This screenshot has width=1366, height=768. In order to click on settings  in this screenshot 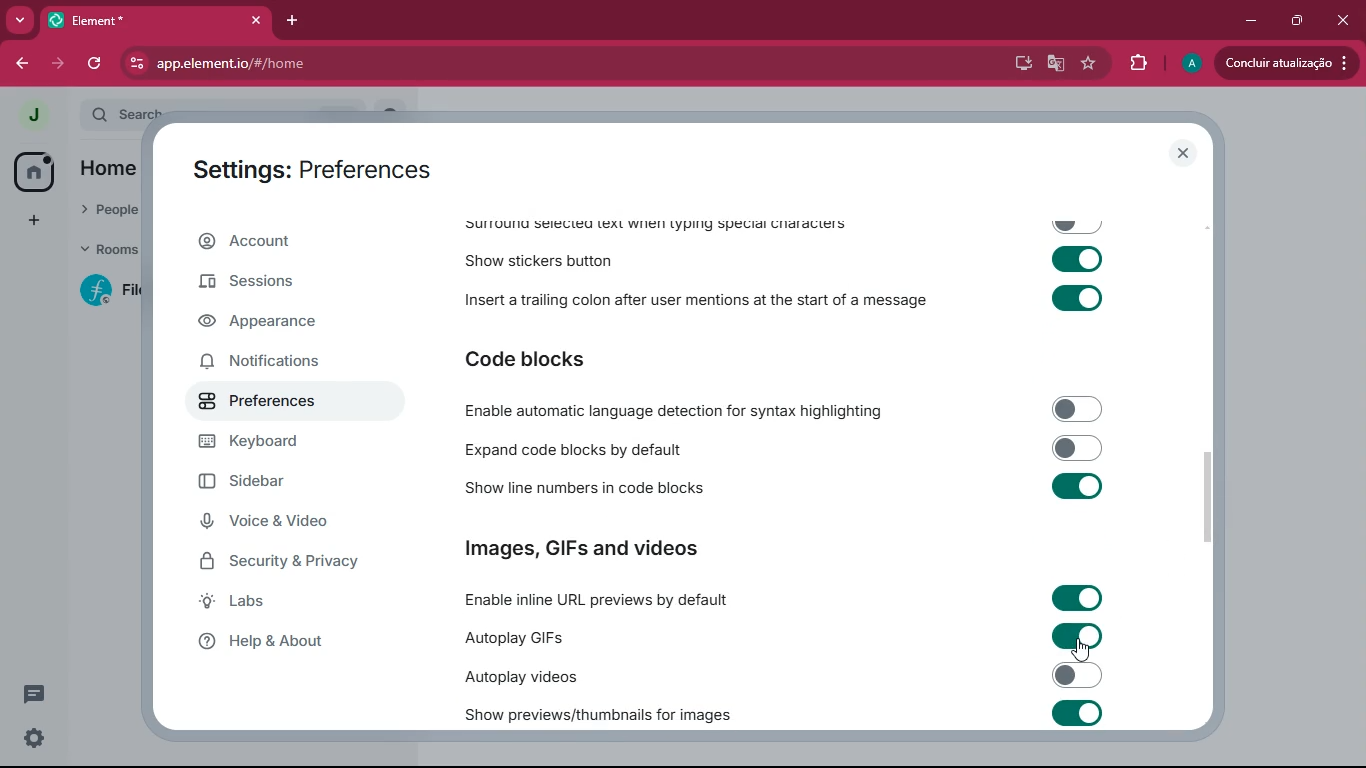, I will do `click(34, 741)`.